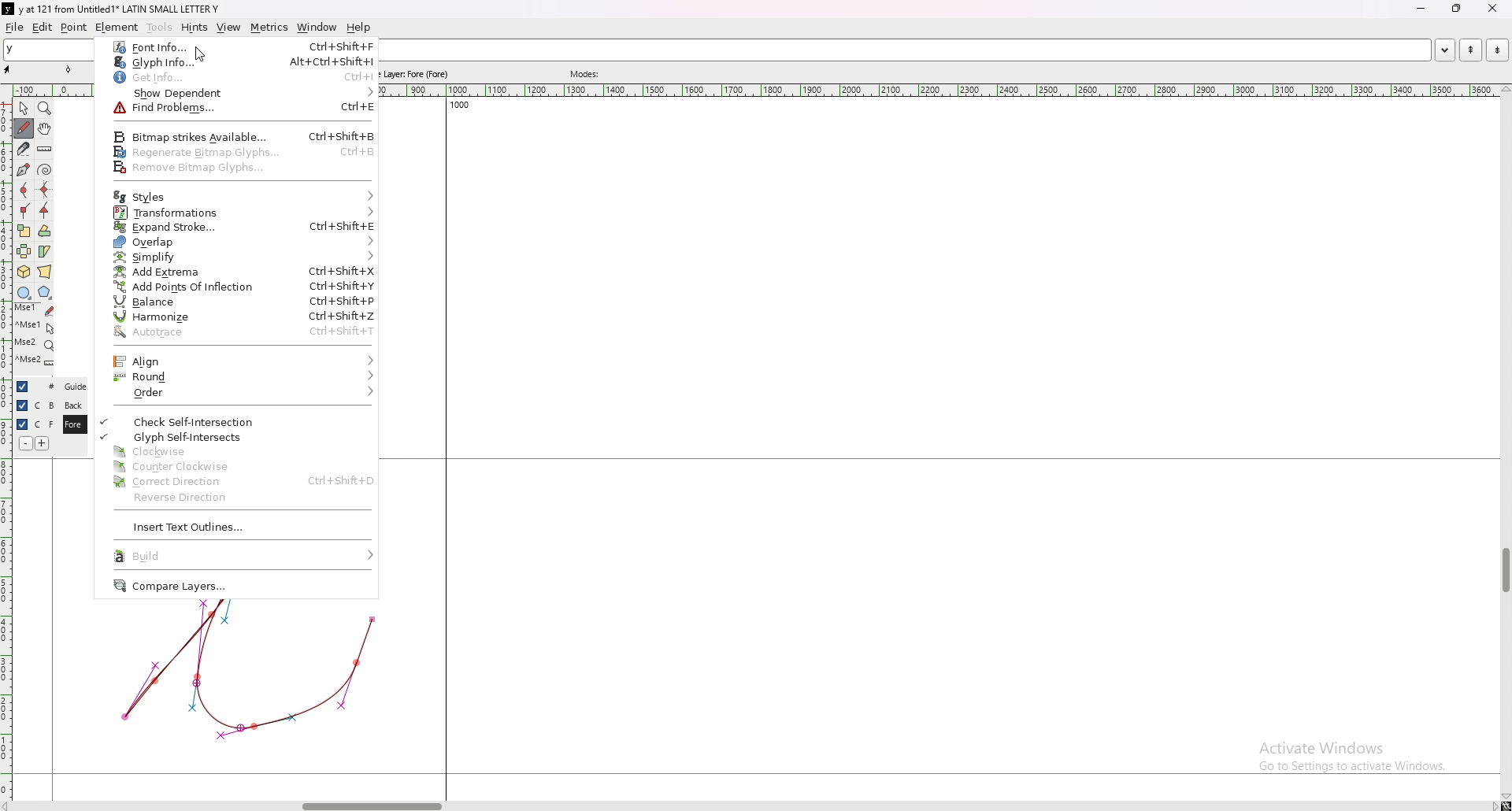 This screenshot has height=811, width=1512. I want to click on add a point, then drag out its control points, so click(22, 168).